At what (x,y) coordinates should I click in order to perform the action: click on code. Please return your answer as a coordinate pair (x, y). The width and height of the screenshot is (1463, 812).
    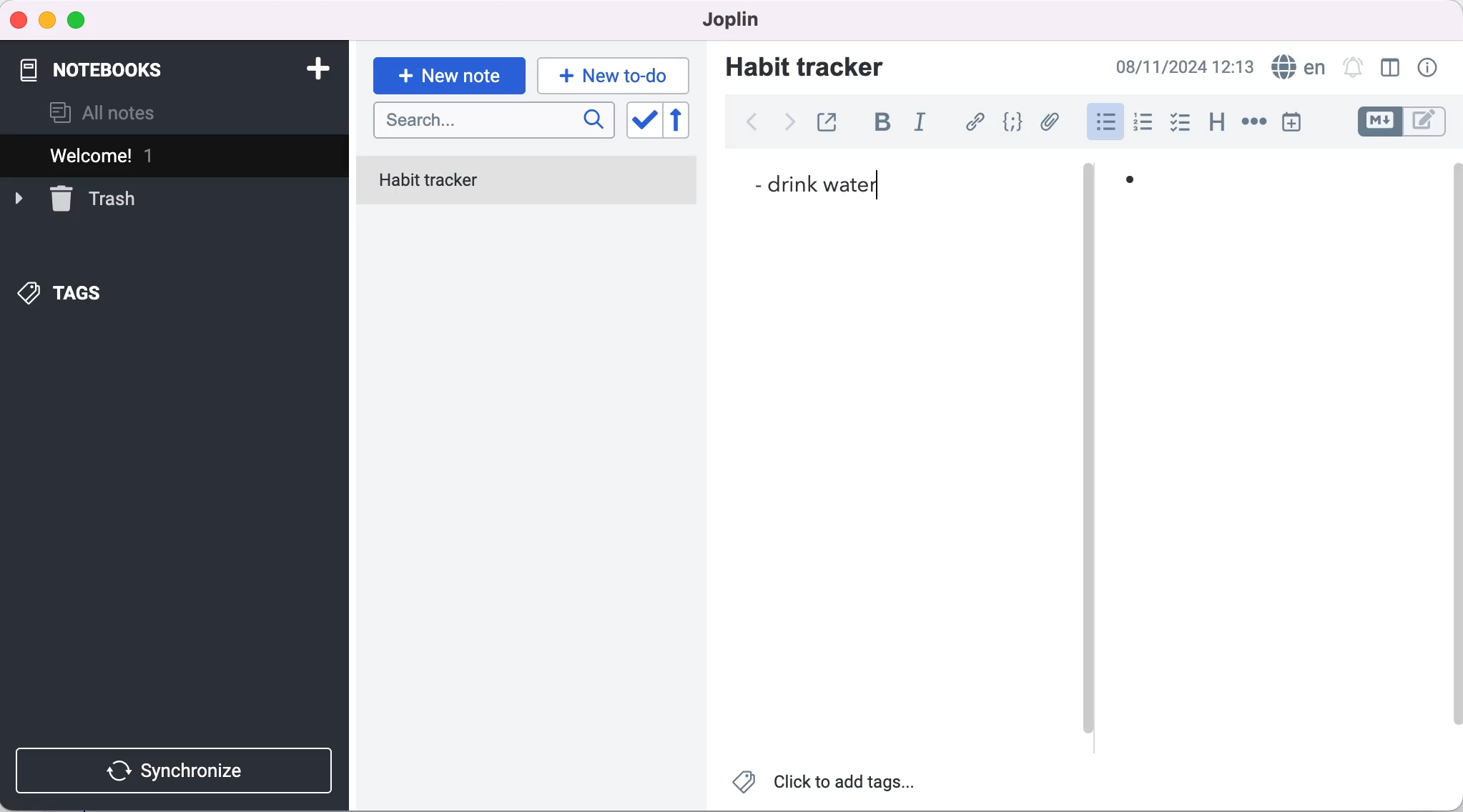
    Looking at the image, I should click on (1015, 122).